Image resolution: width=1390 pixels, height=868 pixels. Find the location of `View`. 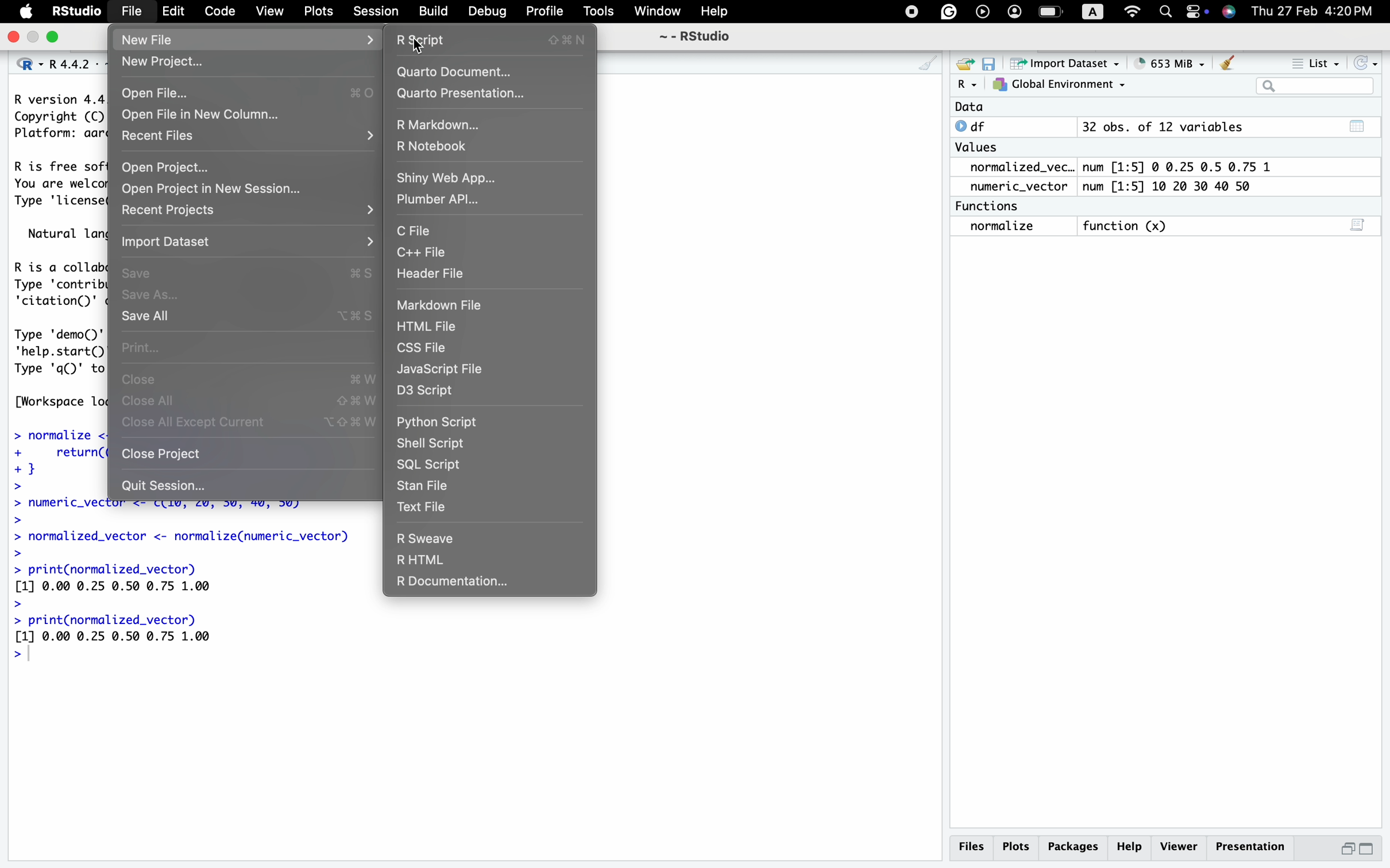

View is located at coordinates (268, 12).